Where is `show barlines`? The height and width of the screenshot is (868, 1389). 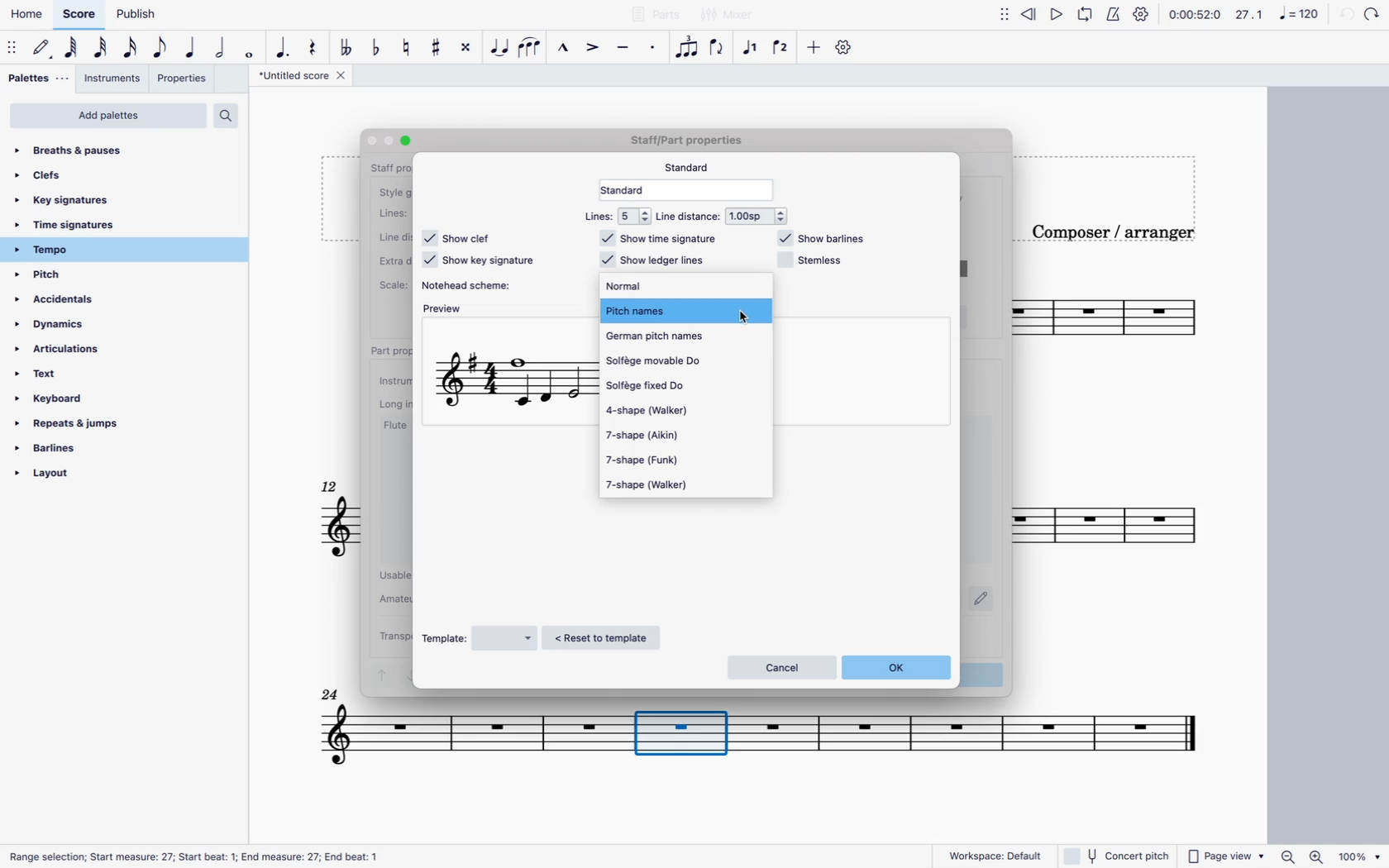 show barlines is located at coordinates (823, 239).